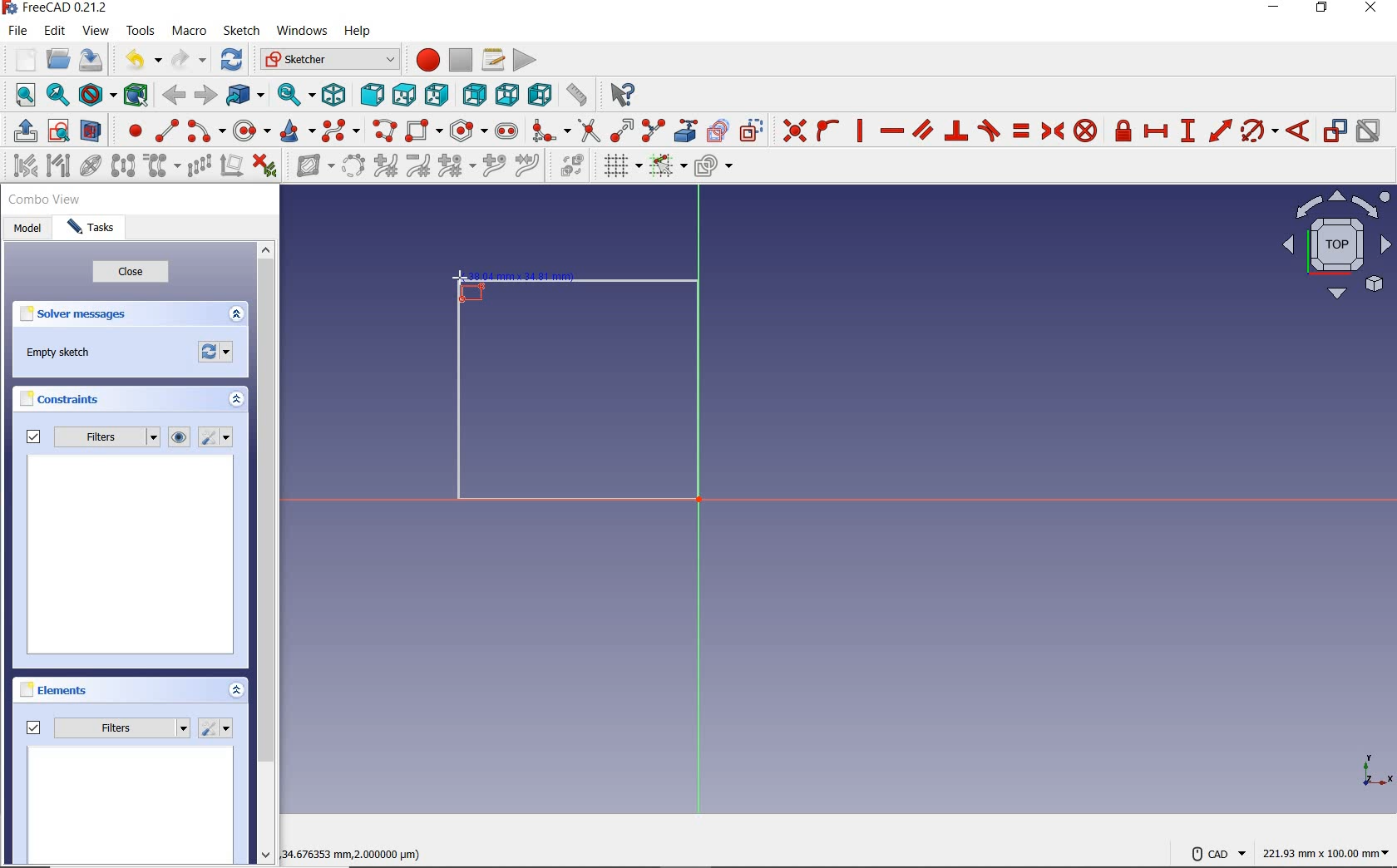 The height and width of the screenshot is (868, 1397). Describe the element at coordinates (1157, 133) in the screenshot. I see `constrain horizontal distance` at that location.